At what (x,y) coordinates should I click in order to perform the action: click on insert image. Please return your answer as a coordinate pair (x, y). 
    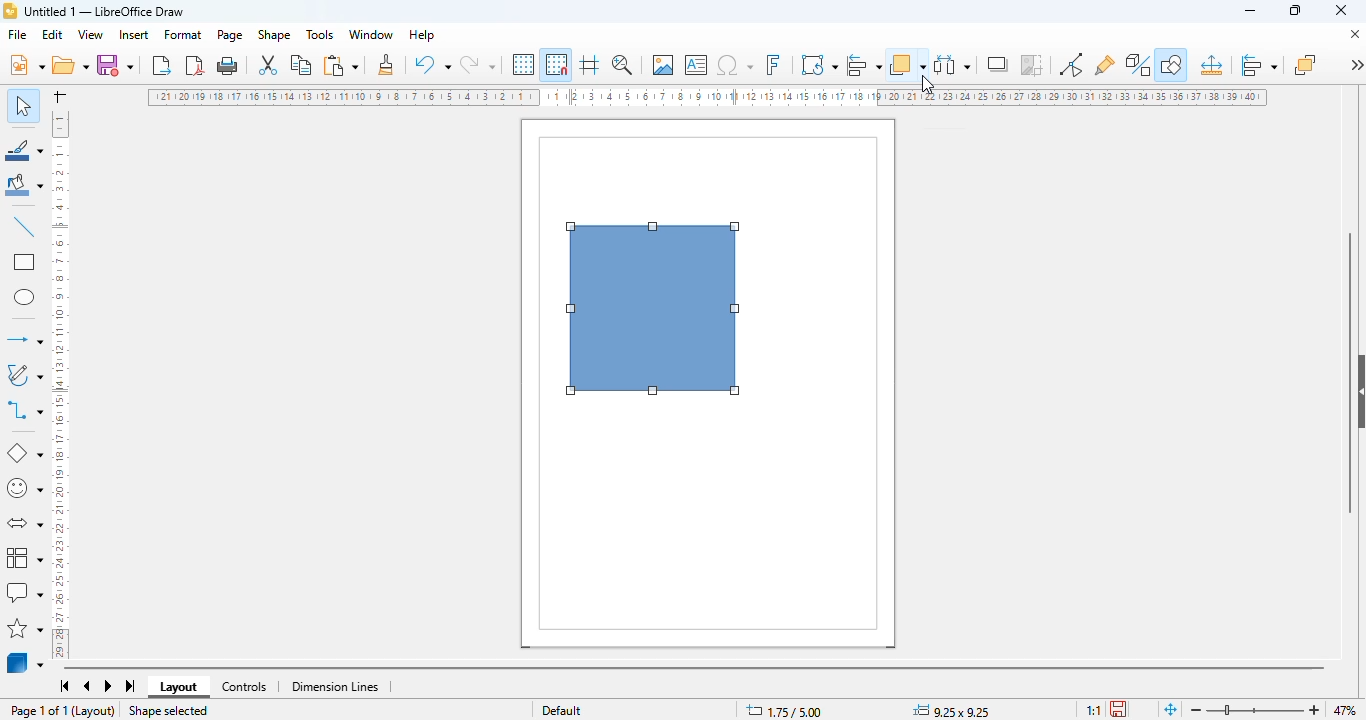
    Looking at the image, I should click on (663, 65).